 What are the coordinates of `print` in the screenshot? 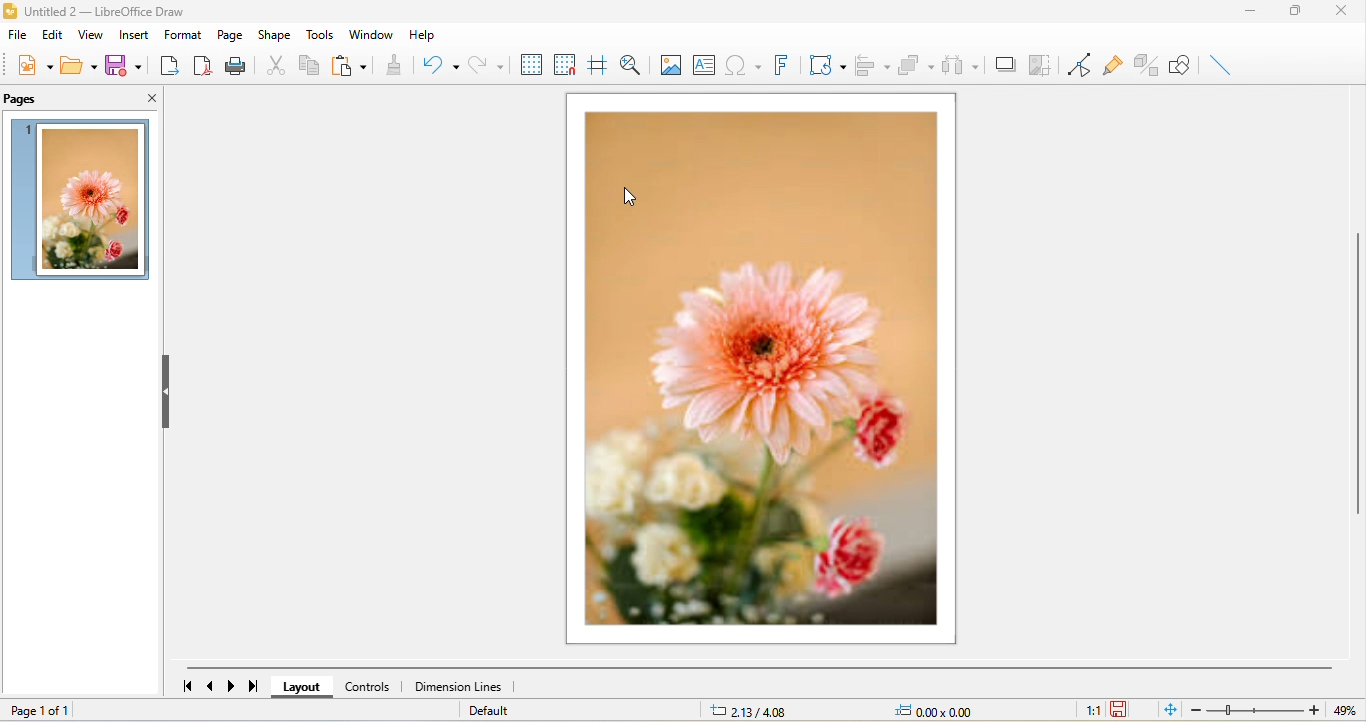 It's located at (235, 65).